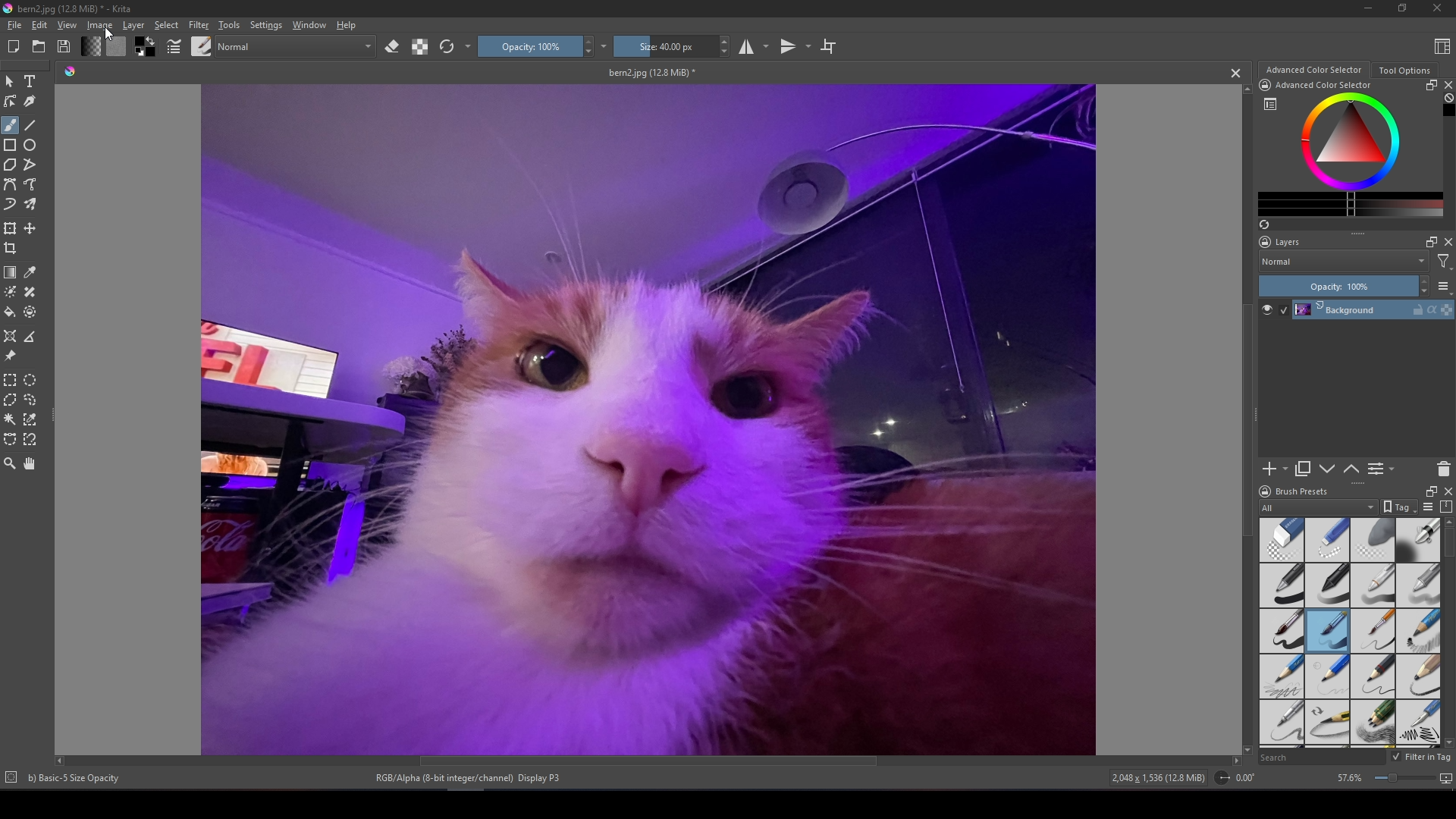 The image size is (1456, 819). I want to click on Vertical mirror tool, so click(797, 47).